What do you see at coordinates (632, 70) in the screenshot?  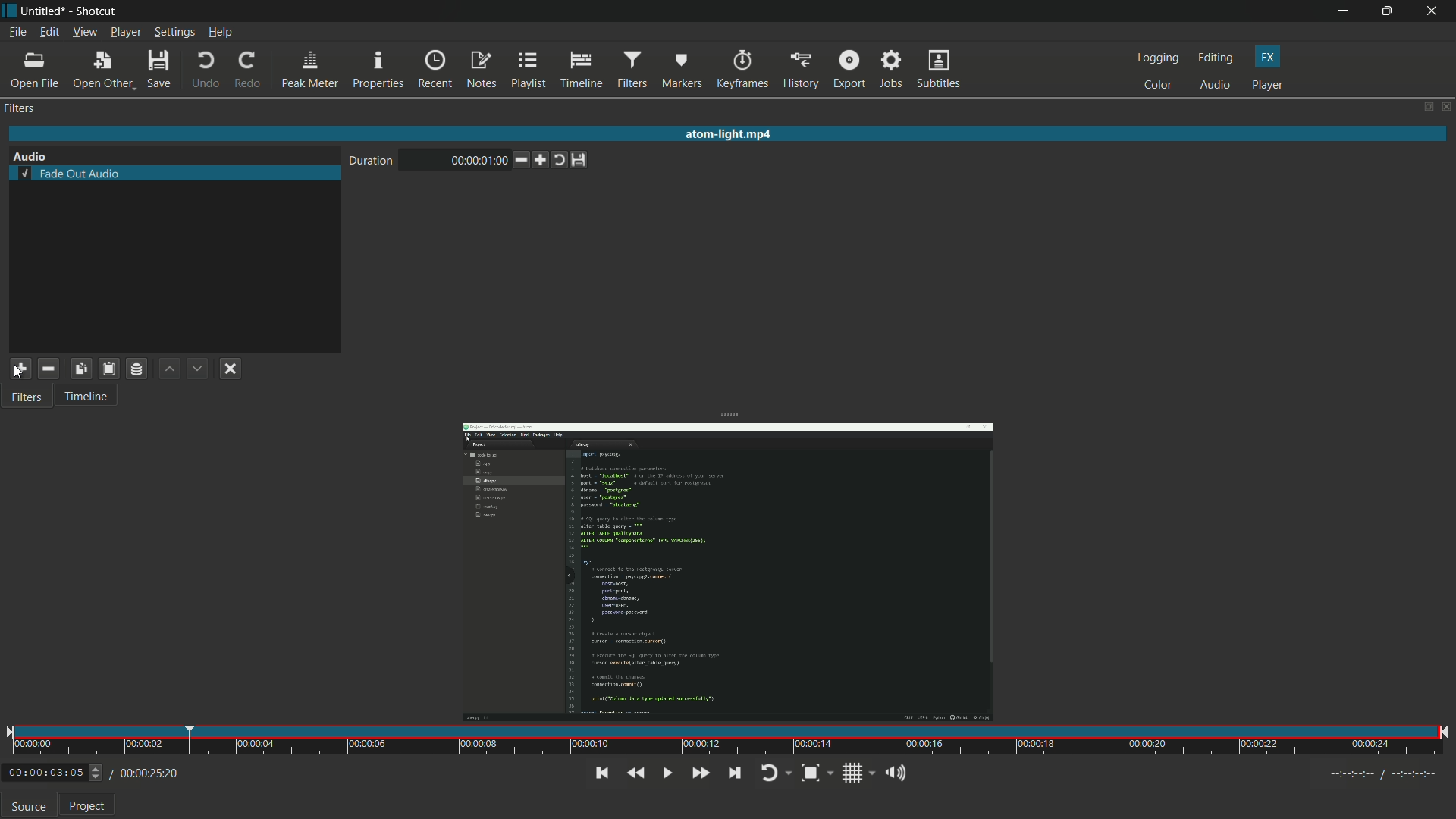 I see `filters` at bounding box center [632, 70].